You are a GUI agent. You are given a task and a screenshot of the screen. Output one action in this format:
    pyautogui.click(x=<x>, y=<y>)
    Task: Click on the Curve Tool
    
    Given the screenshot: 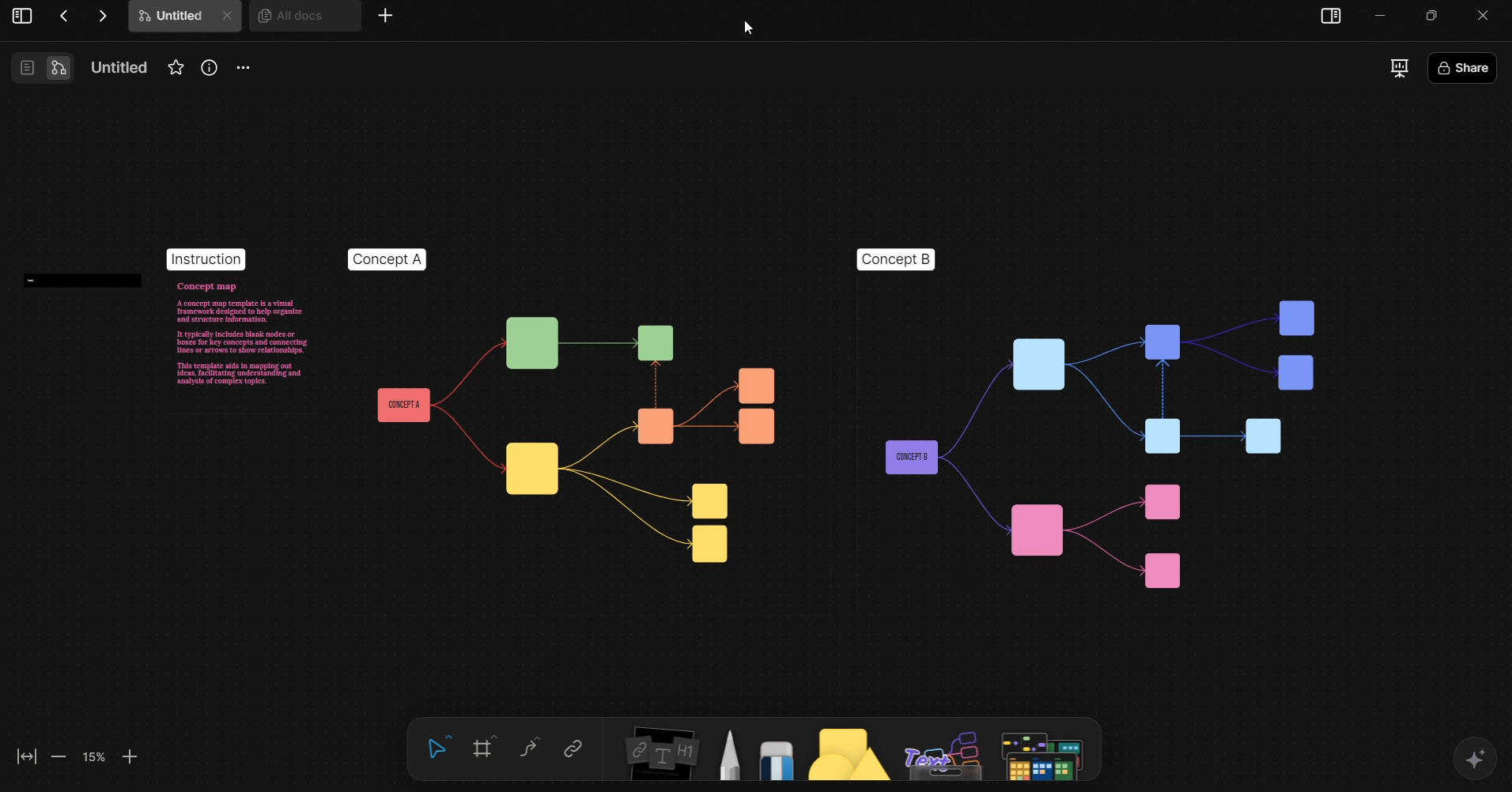 What is the action you would take?
    pyautogui.click(x=528, y=749)
    